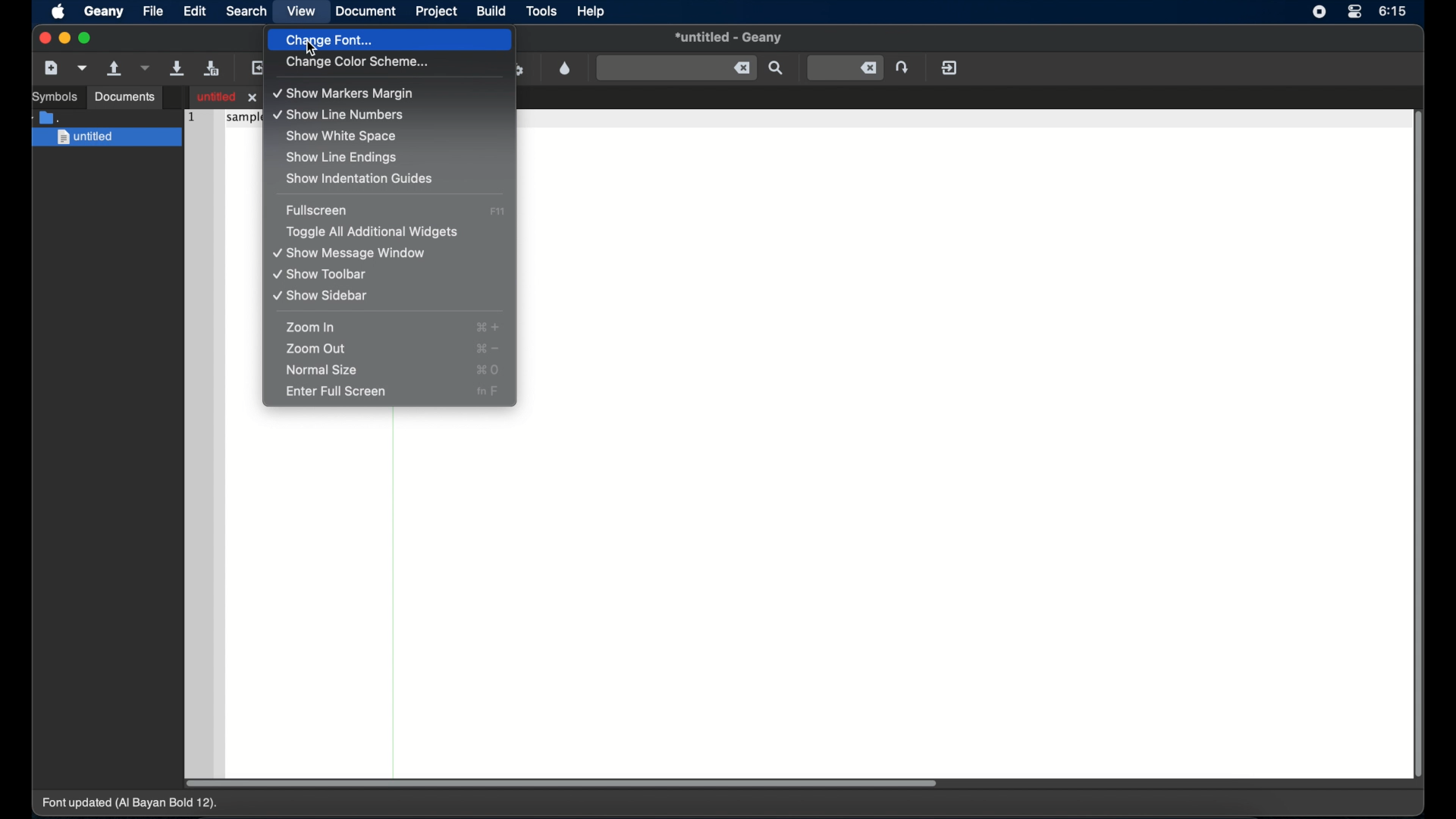  I want to click on open a color chooser dialogue, so click(565, 67).